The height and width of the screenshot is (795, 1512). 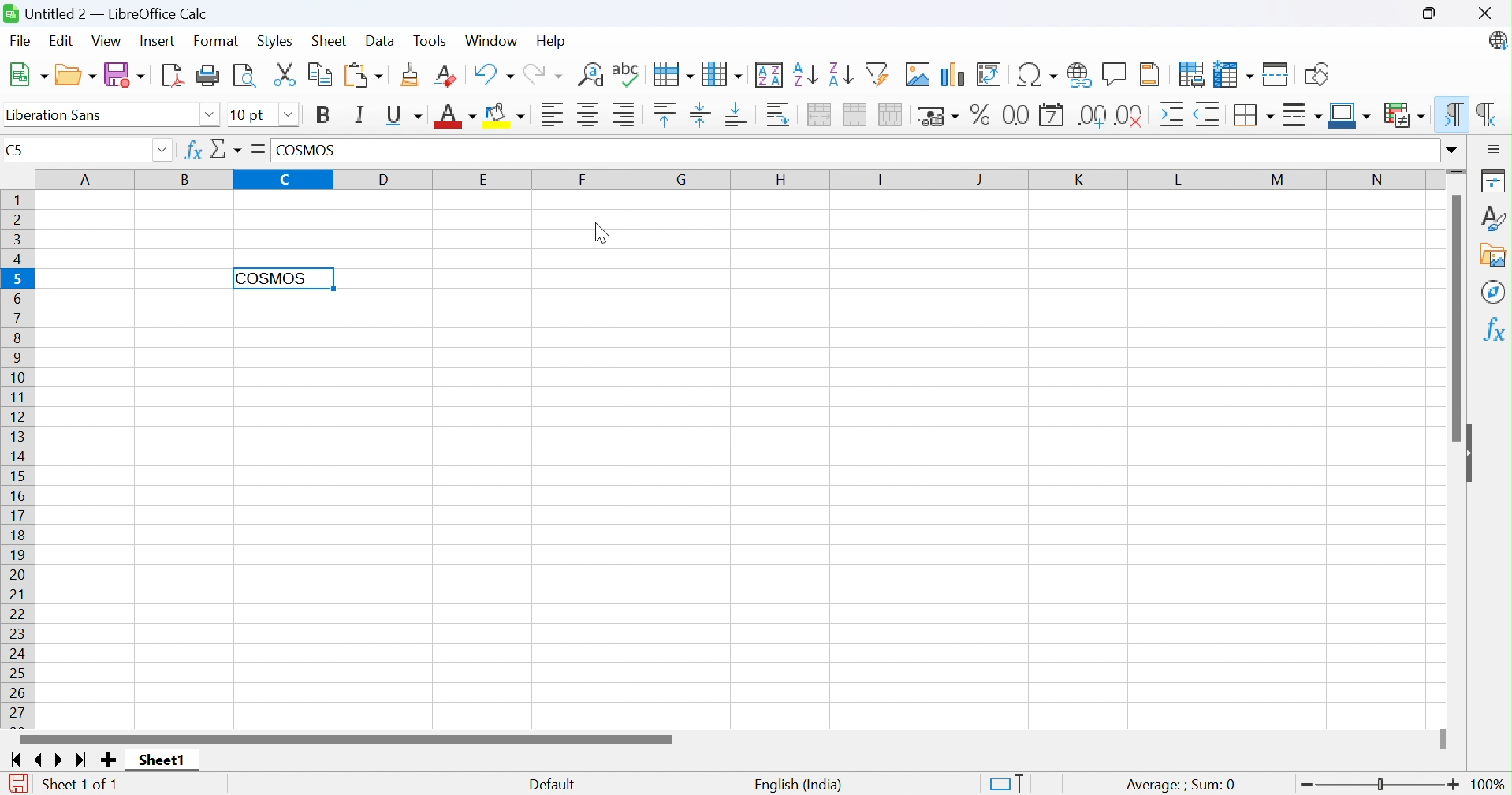 I want to click on Auto filter, so click(x=880, y=73).